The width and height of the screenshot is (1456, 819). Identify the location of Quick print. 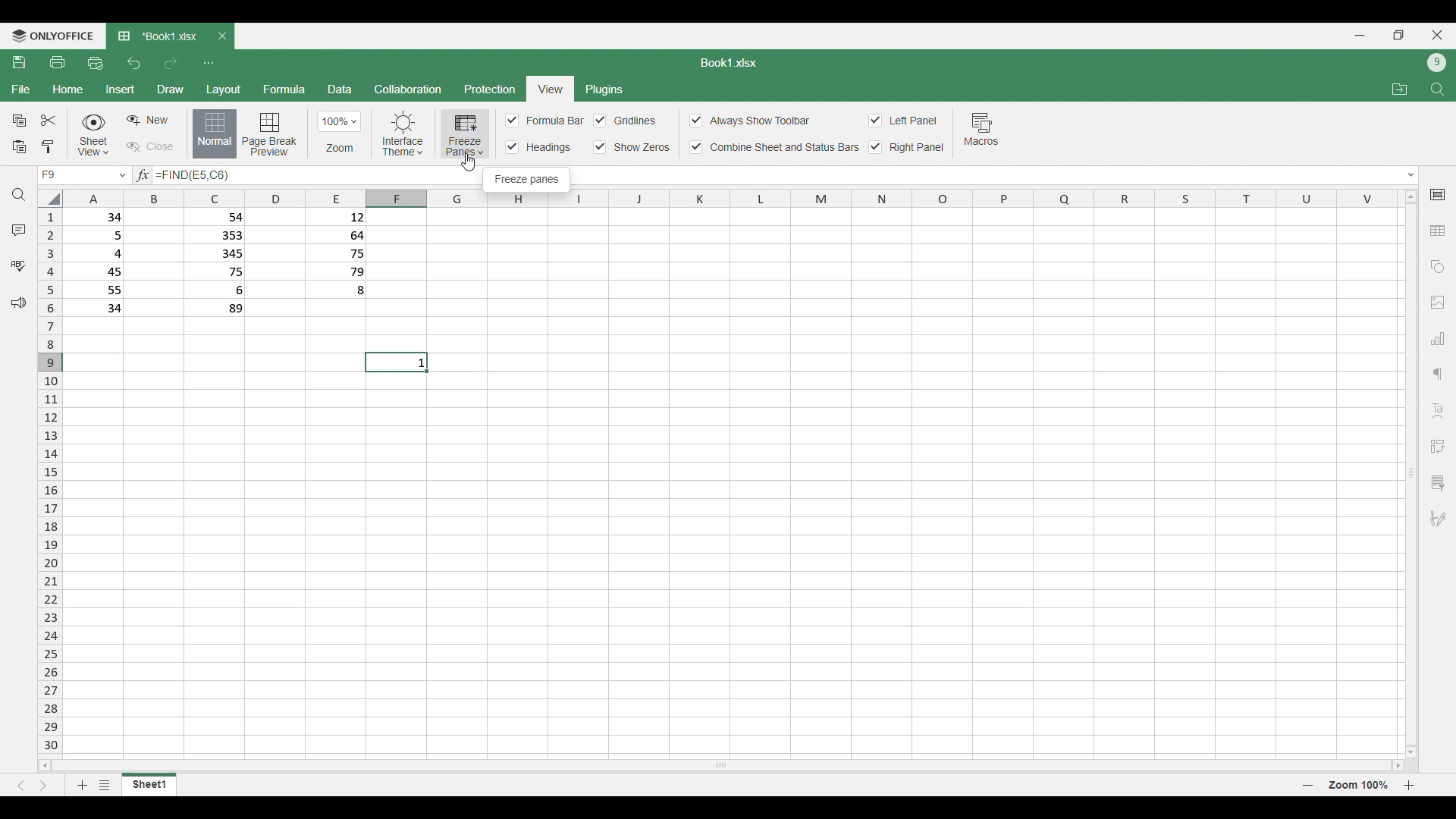
(96, 64).